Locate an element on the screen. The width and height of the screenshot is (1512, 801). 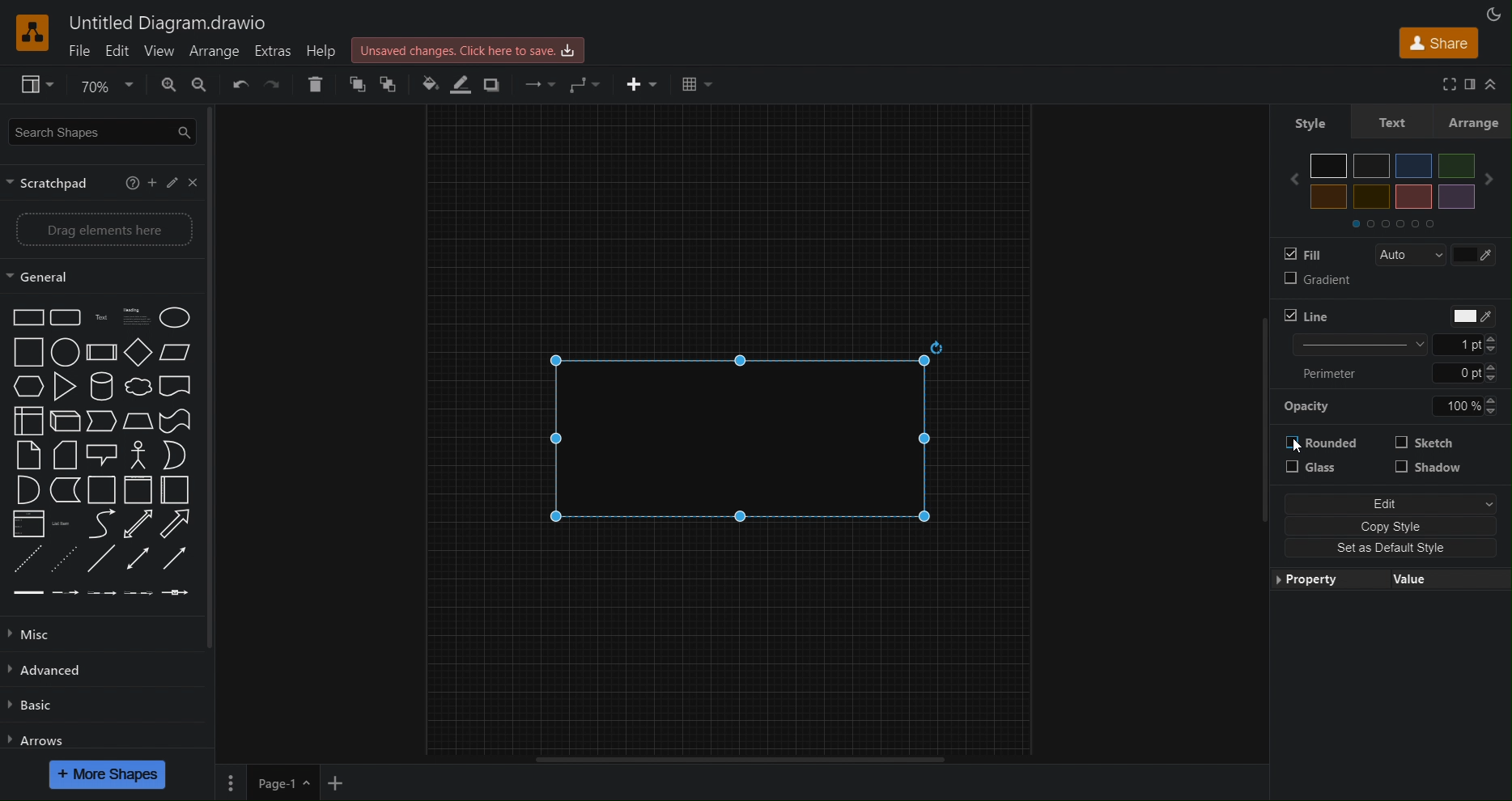
question is located at coordinates (131, 183).